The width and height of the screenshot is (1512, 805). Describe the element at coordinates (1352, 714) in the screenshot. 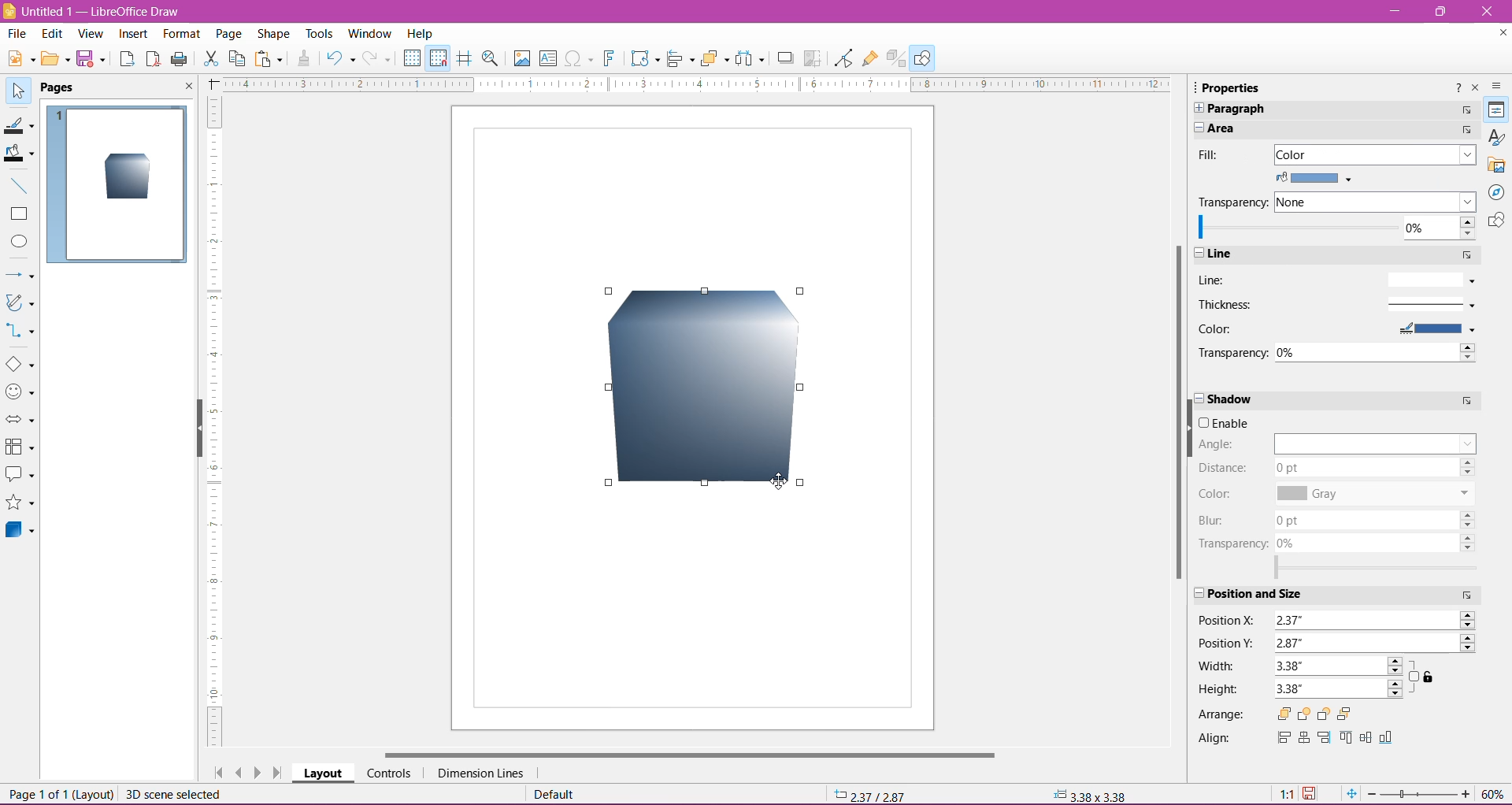

I see `Send to Back` at that location.